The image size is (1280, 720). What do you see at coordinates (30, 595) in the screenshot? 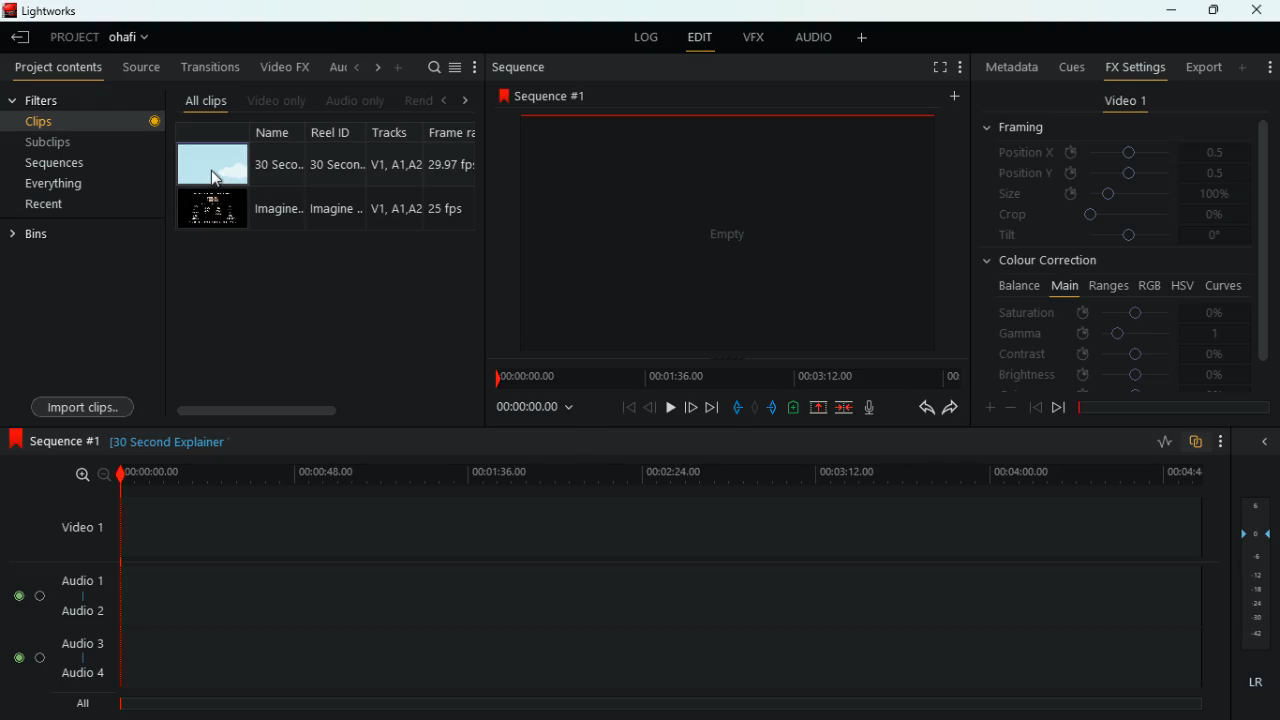
I see `Audio` at bounding box center [30, 595].